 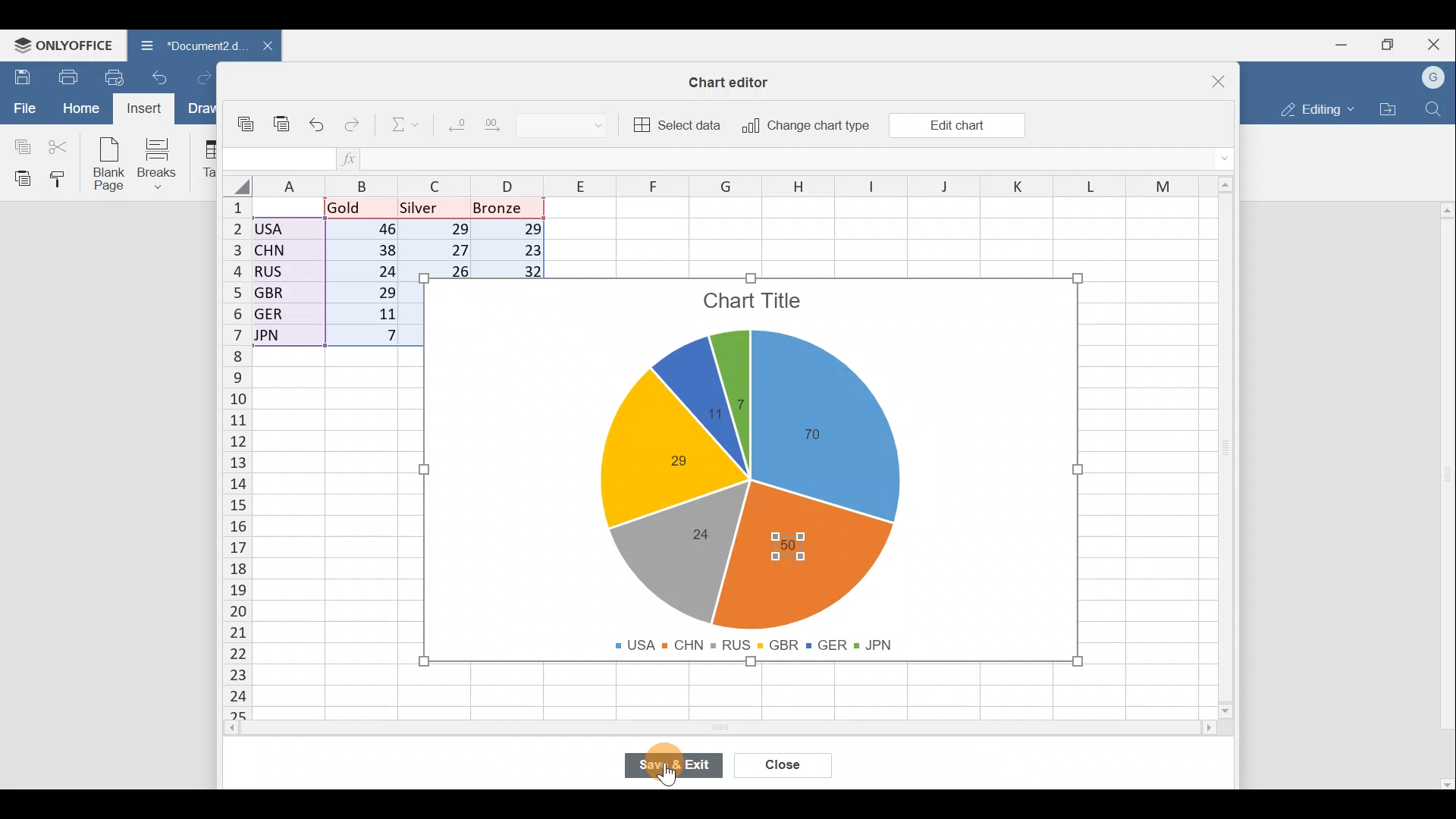 What do you see at coordinates (353, 128) in the screenshot?
I see `Redo` at bounding box center [353, 128].